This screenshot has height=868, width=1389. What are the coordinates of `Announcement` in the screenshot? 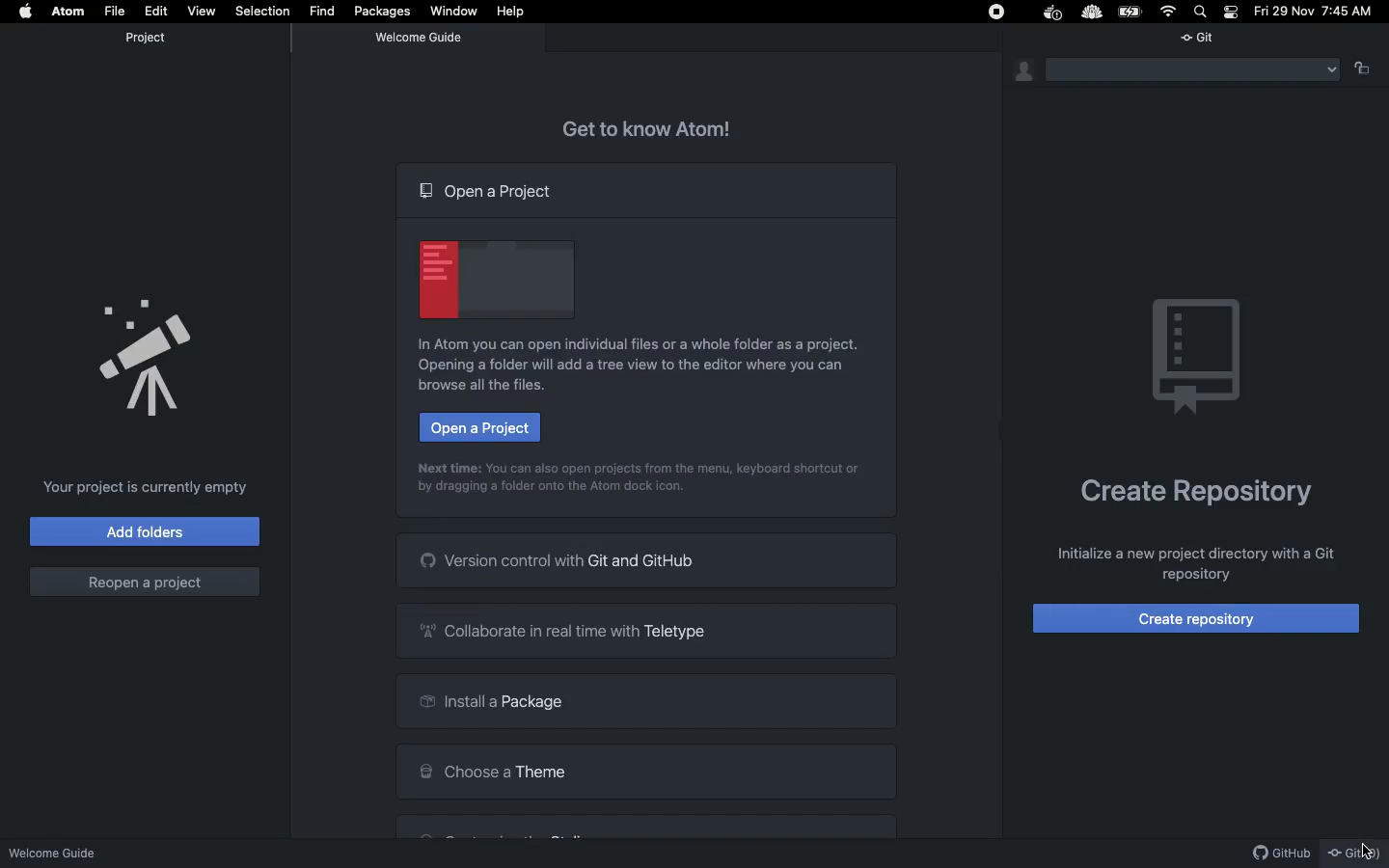 It's located at (147, 356).